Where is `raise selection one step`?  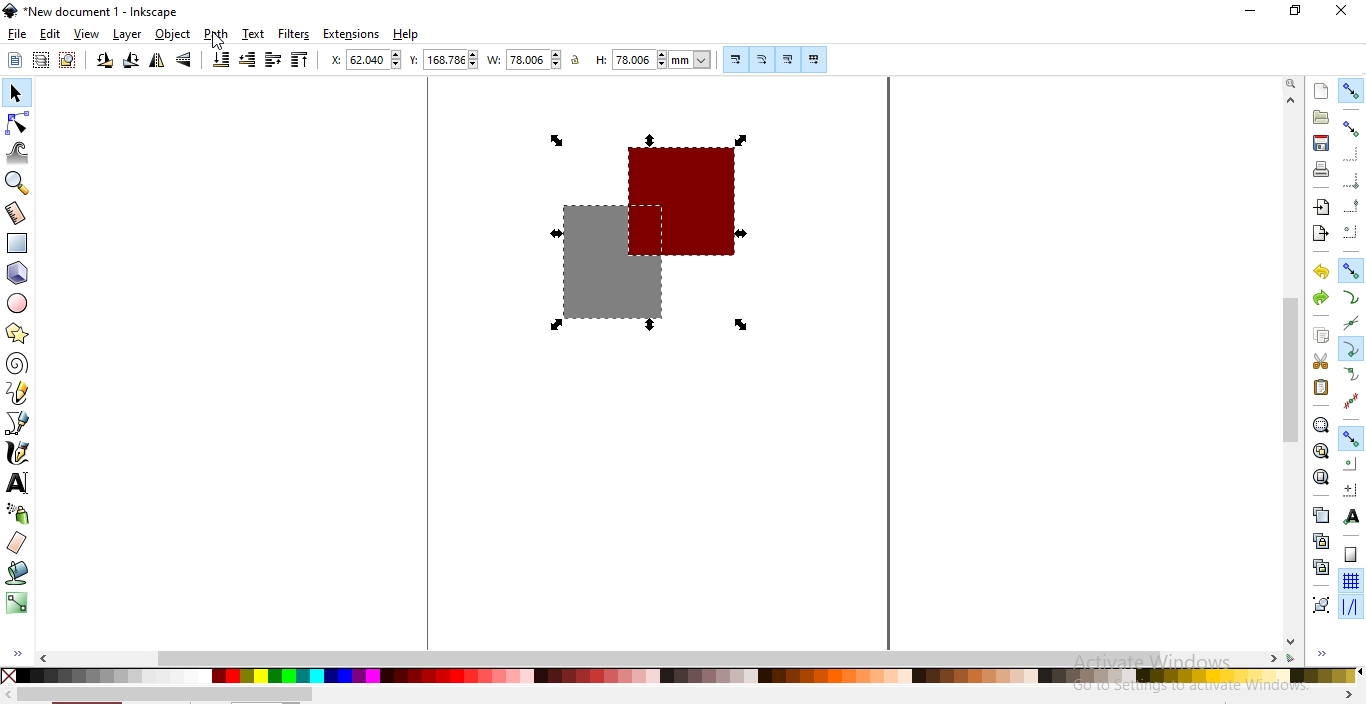 raise selection one step is located at coordinates (272, 59).